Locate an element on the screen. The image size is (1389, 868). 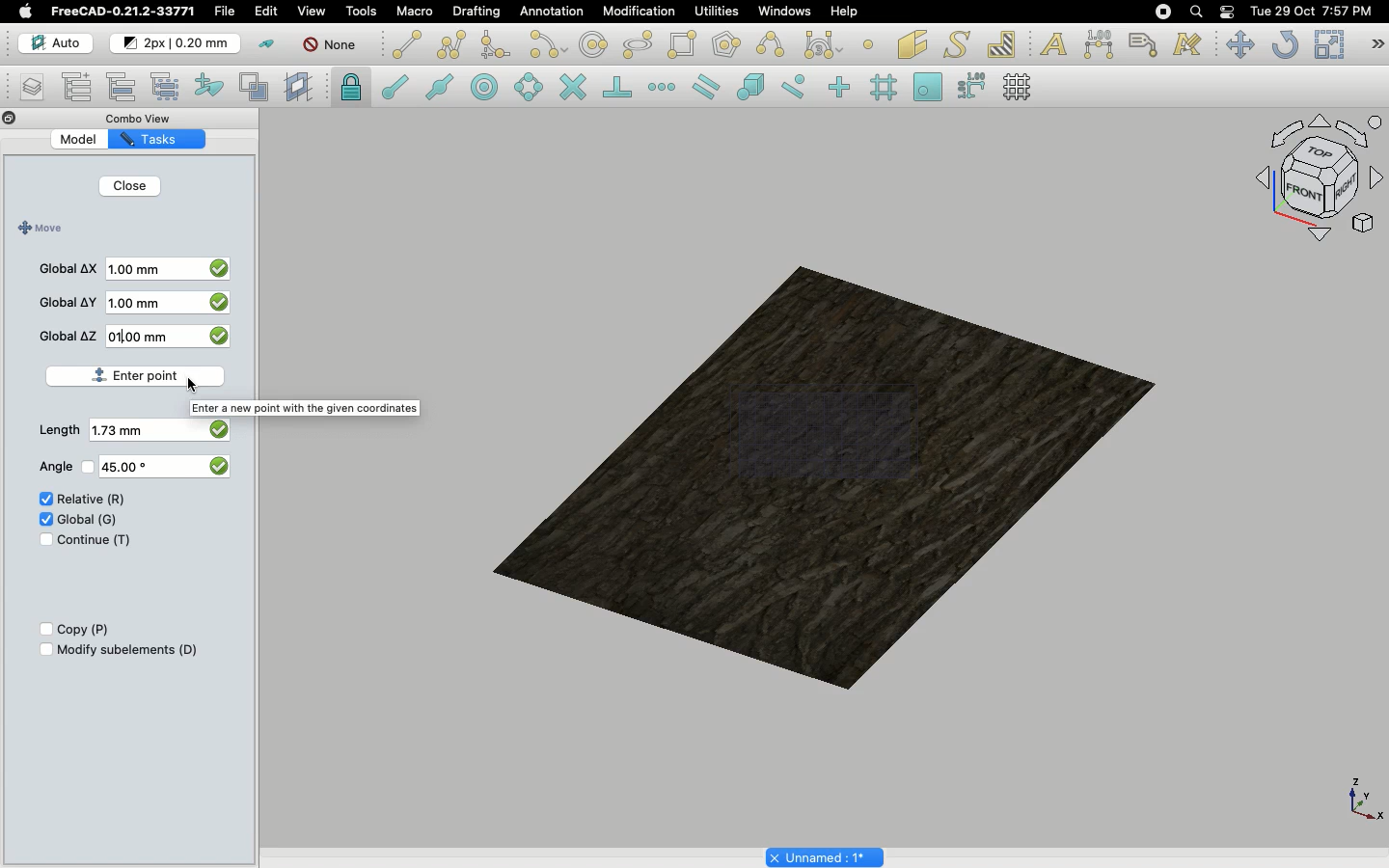
Snap angle is located at coordinates (530, 89).